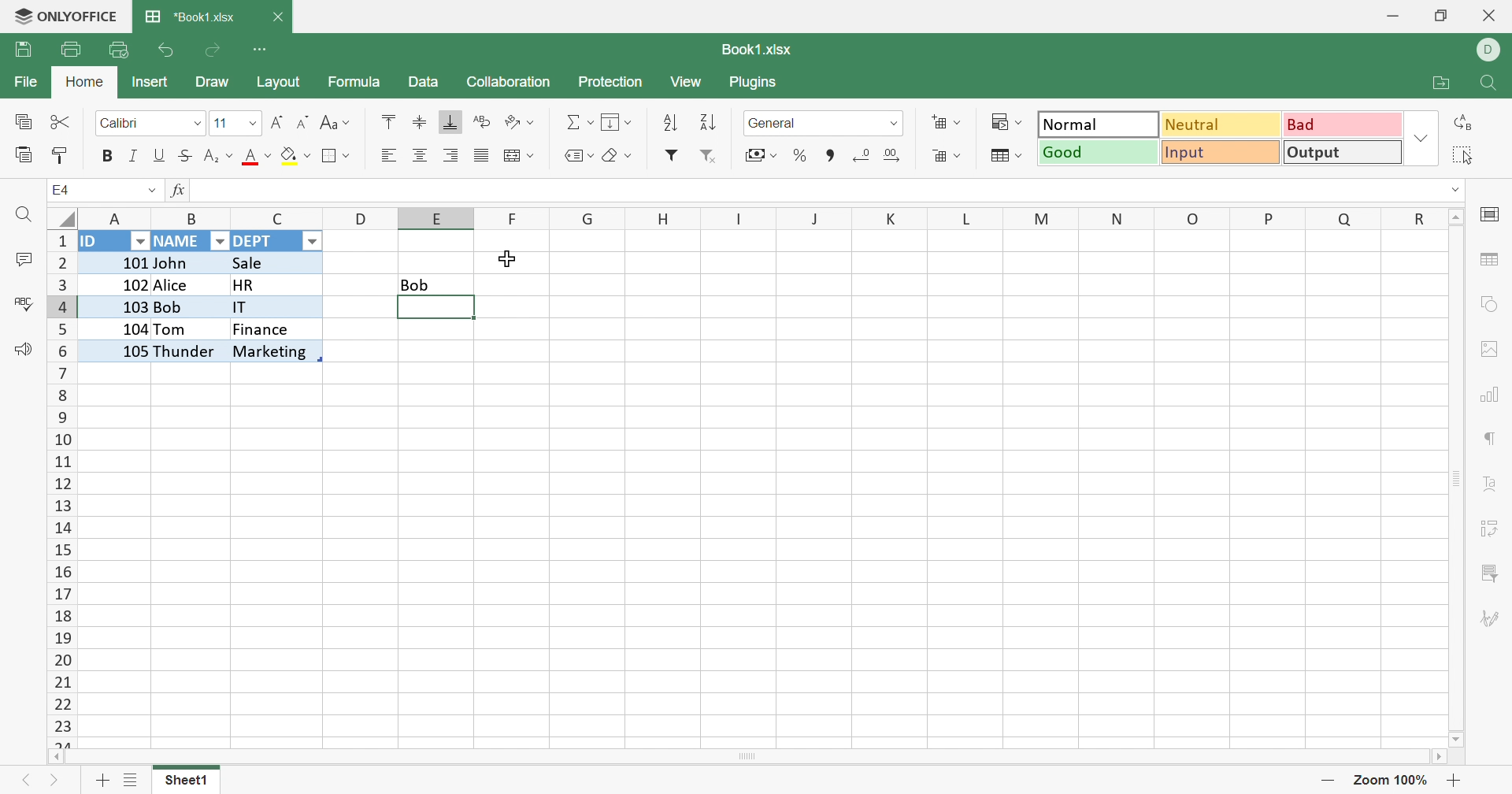 The image size is (1512, 794). I want to click on Drop Down, so click(315, 242).